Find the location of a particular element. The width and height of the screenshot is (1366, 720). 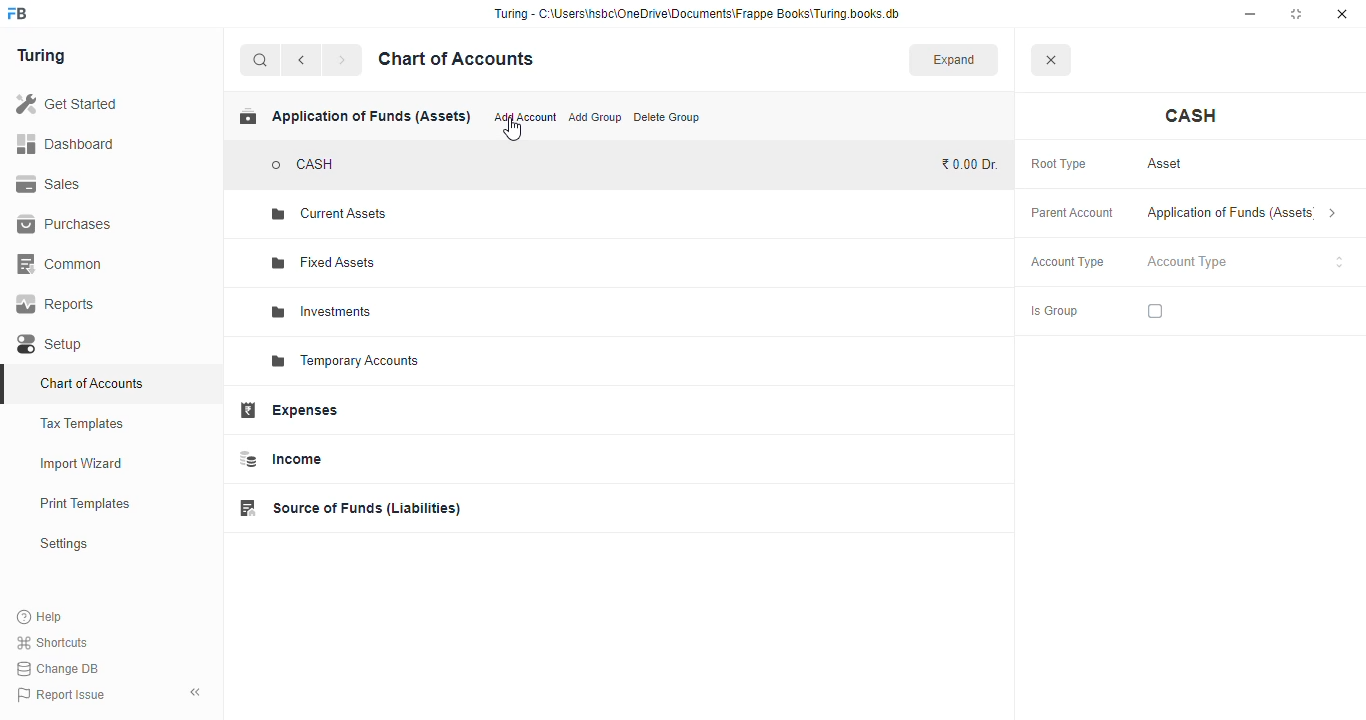

chart of accounts is located at coordinates (456, 59).